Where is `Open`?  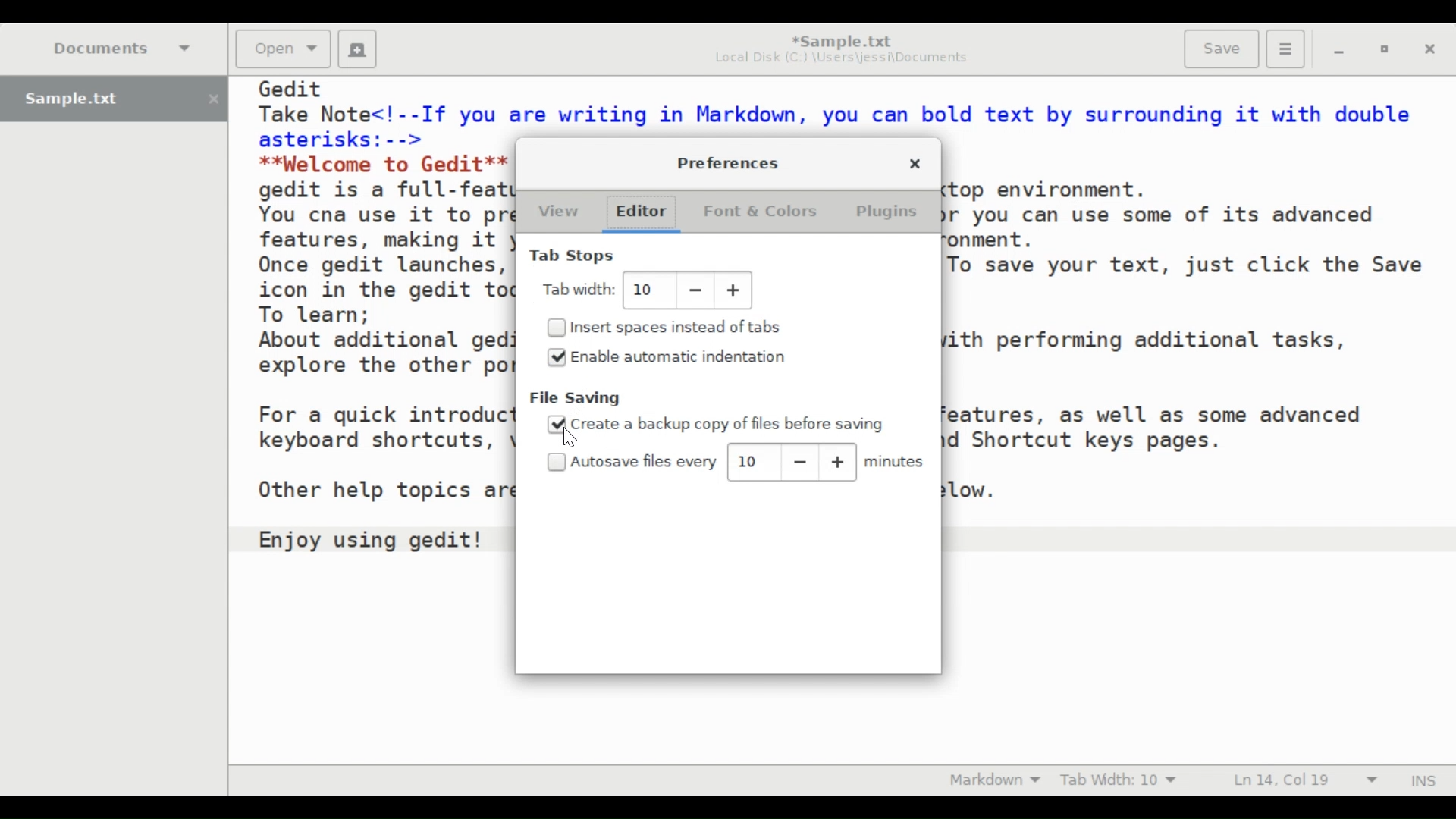 Open is located at coordinates (281, 49).